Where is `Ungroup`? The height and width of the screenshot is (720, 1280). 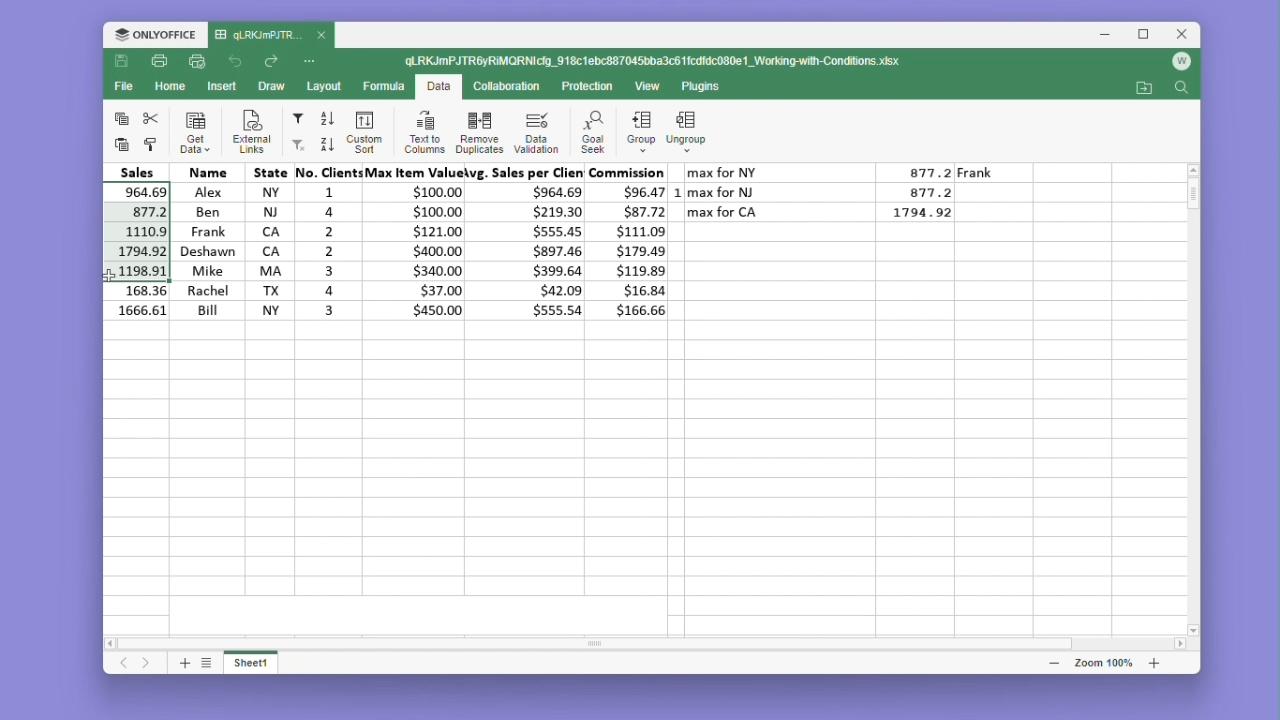 Ungroup is located at coordinates (687, 133).